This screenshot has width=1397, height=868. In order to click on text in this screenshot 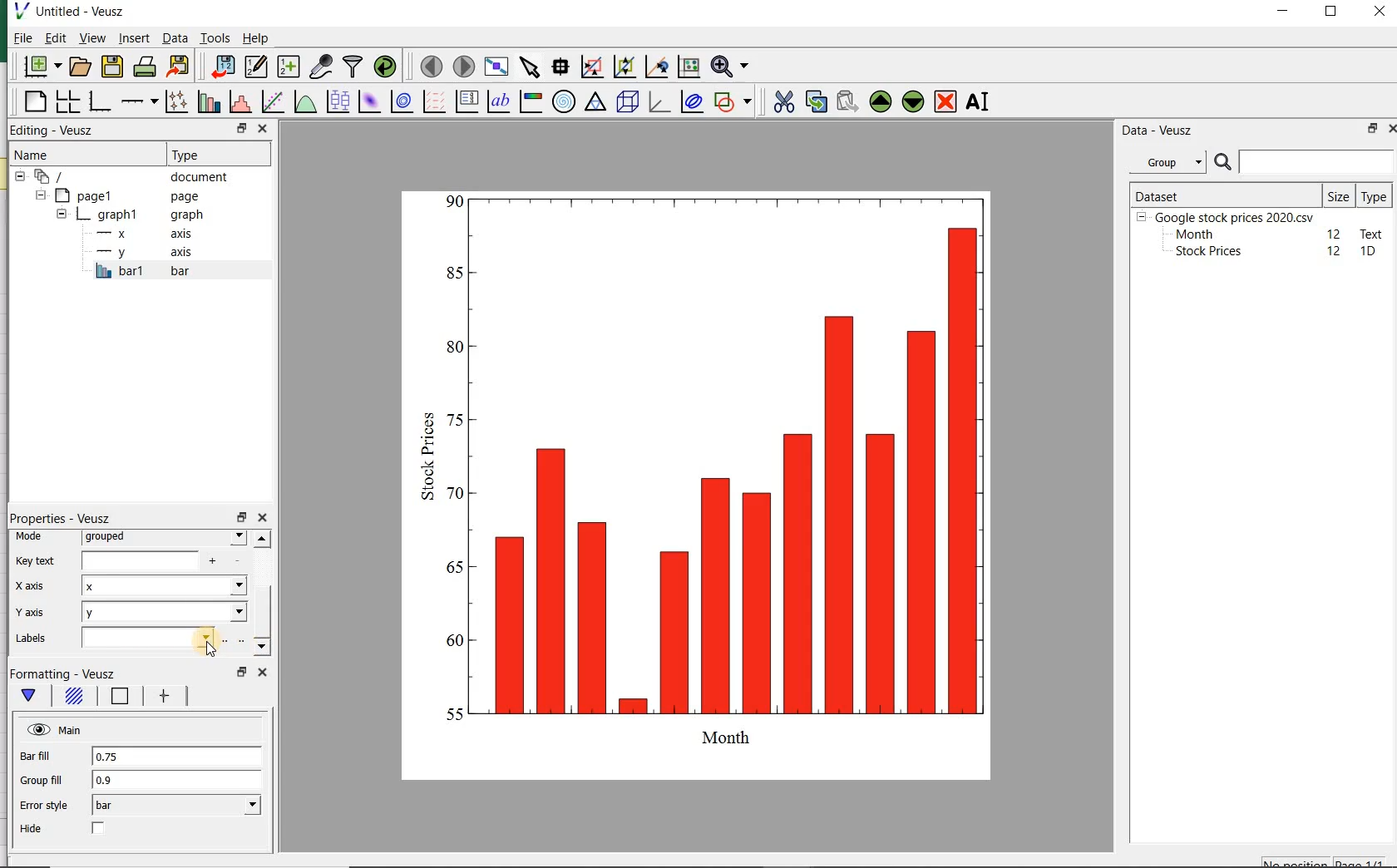, I will do `click(1369, 233)`.